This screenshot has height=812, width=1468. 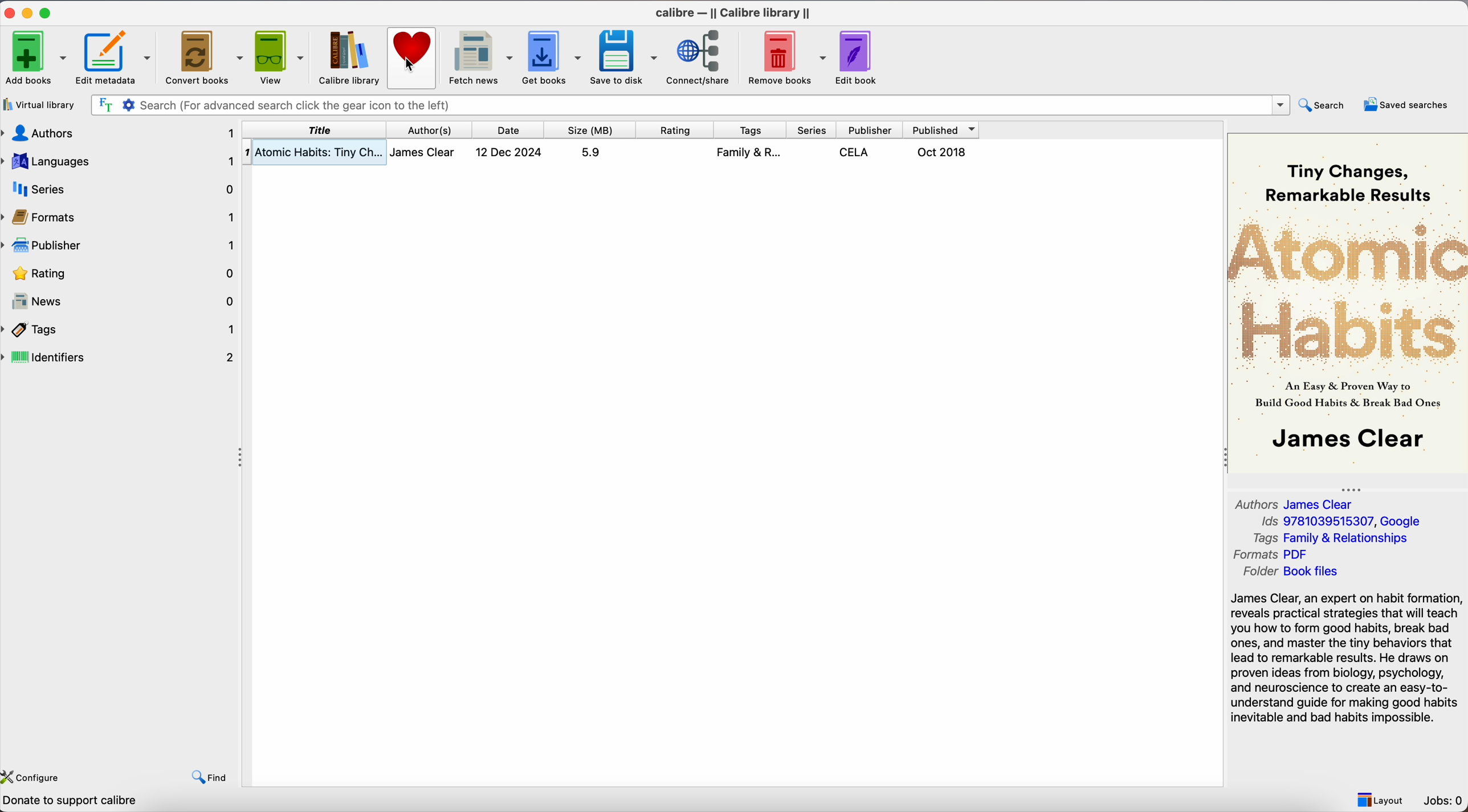 I want to click on saved searches, so click(x=1408, y=105).